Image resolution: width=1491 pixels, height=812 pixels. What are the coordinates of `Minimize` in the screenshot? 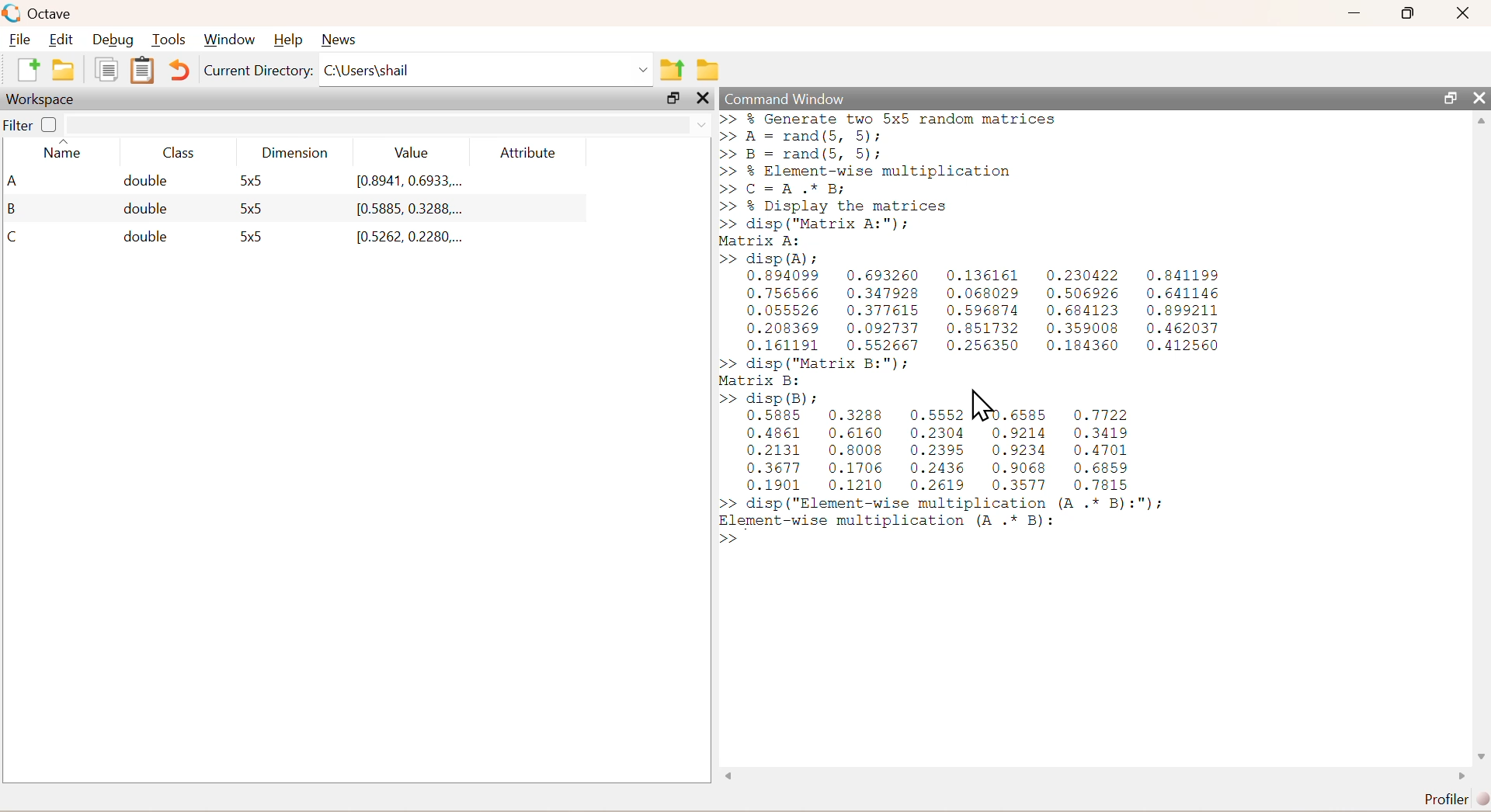 It's located at (1354, 13).